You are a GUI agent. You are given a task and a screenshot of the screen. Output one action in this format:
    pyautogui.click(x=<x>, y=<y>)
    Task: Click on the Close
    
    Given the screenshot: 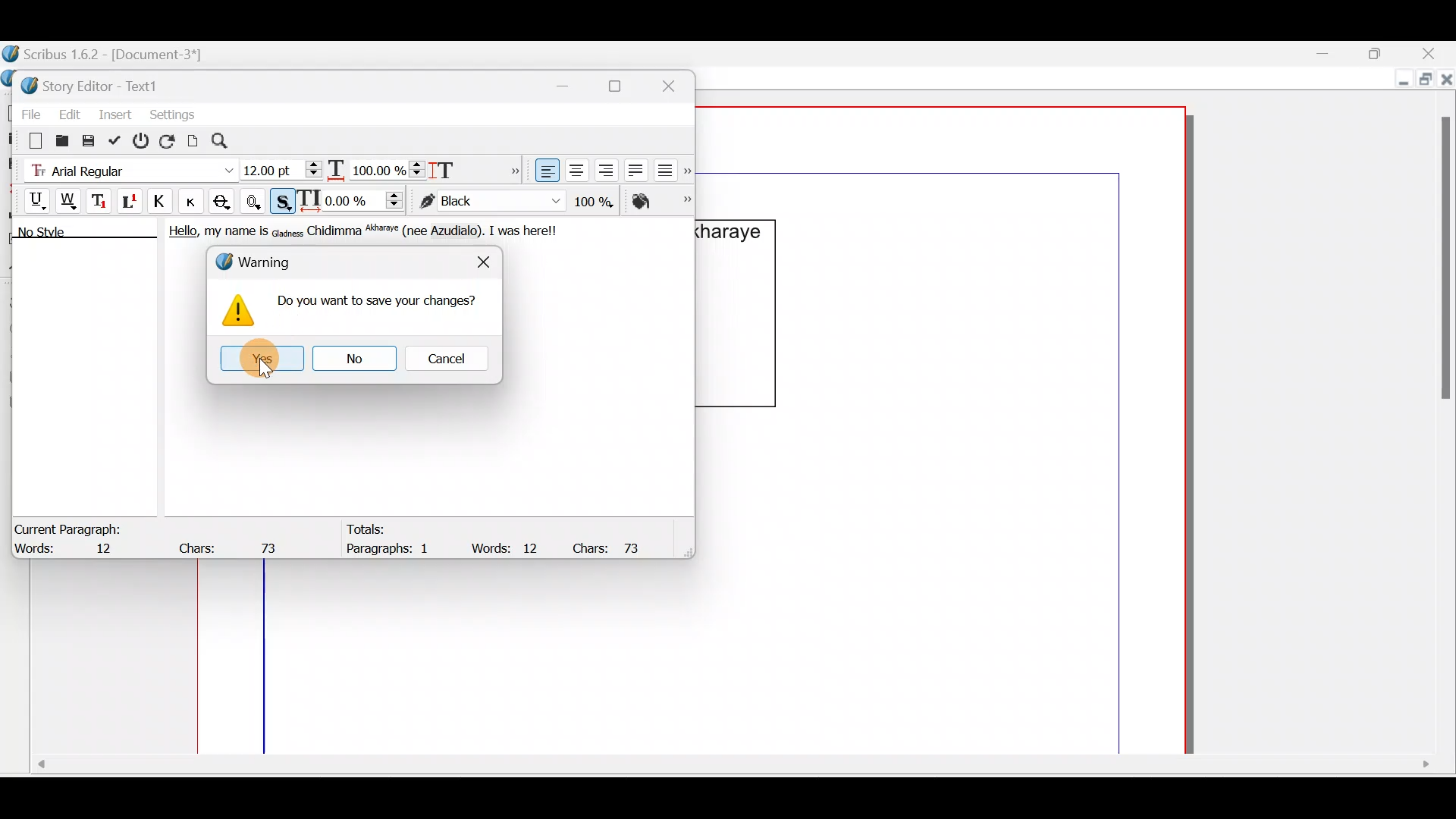 What is the action you would take?
    pyautogui.click(x=675, y=83)
    